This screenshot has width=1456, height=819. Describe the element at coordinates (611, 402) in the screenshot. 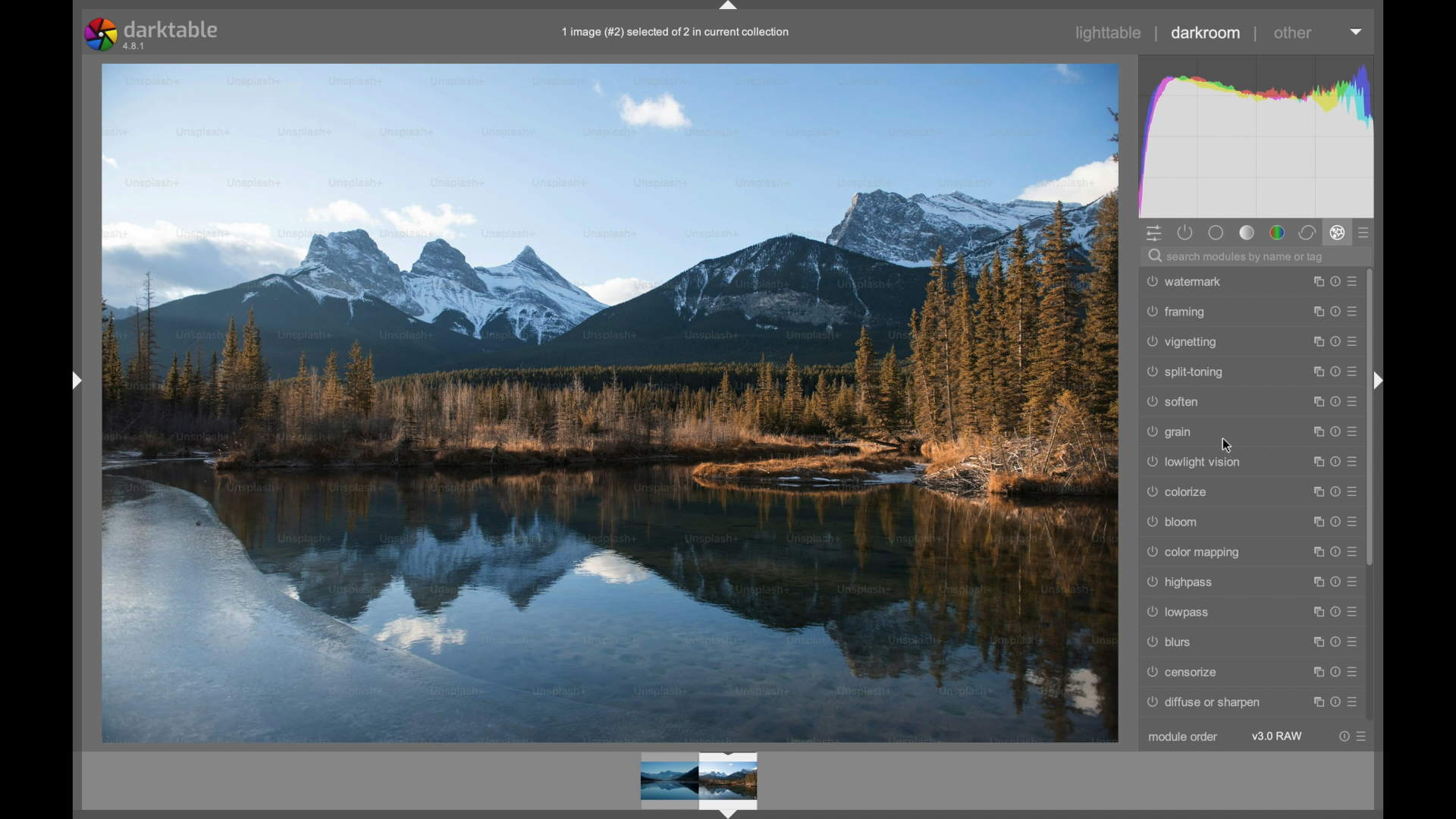

I see `photo preview` at that location.